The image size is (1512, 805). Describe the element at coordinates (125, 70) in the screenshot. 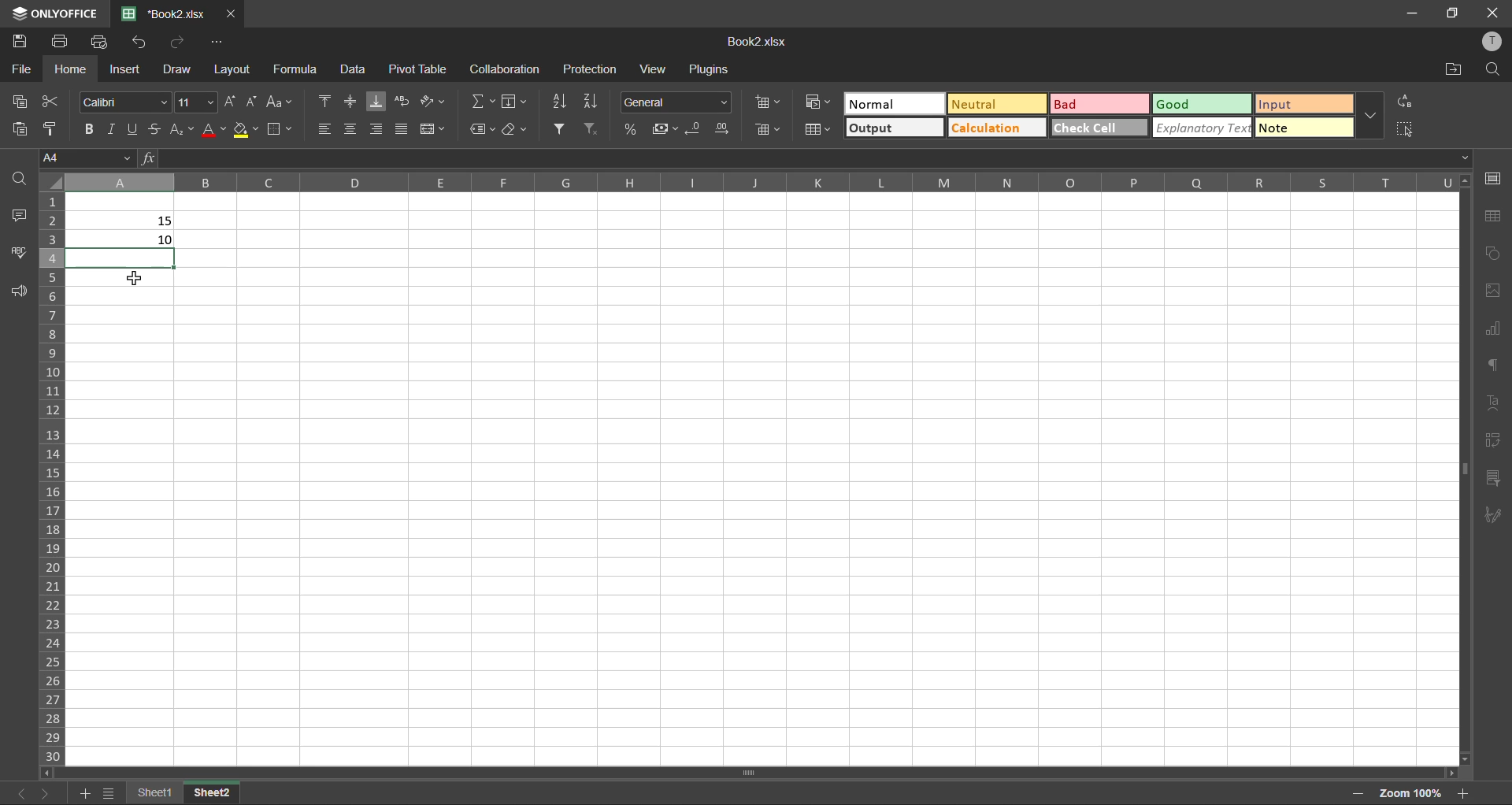

I see `insert` at that location.